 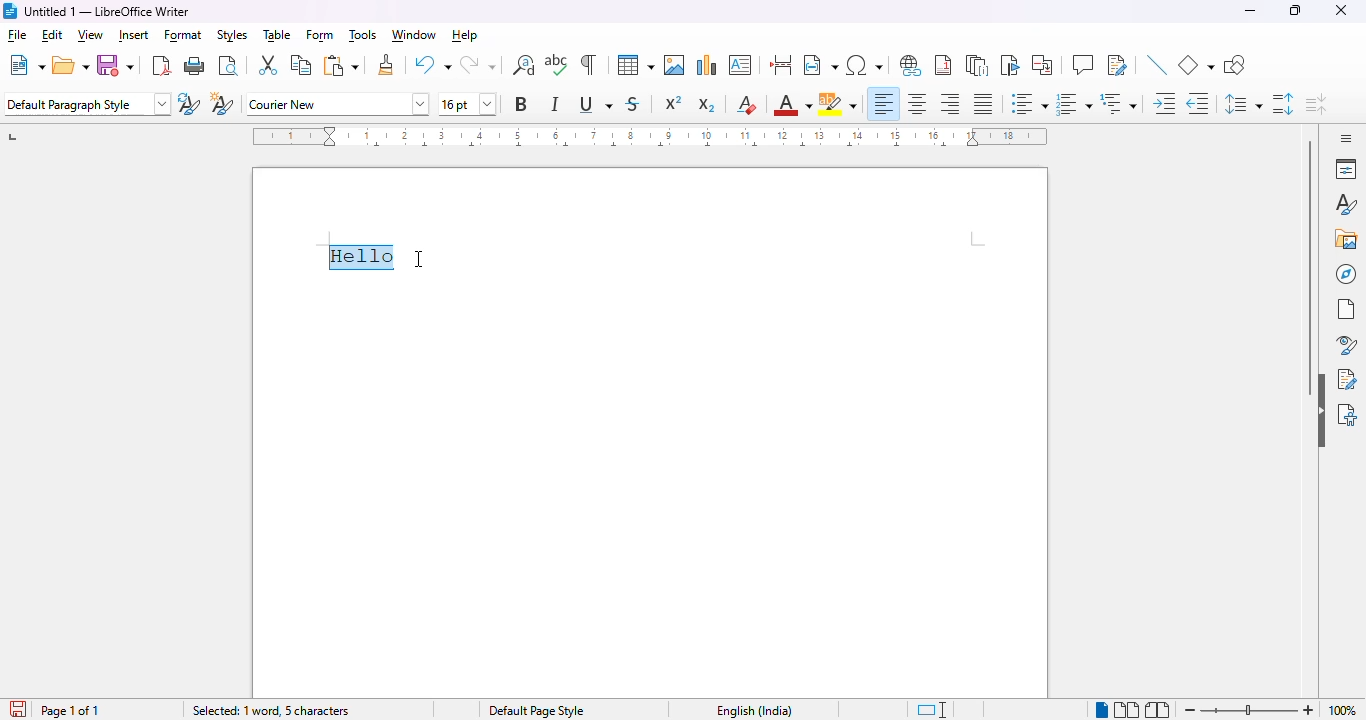 I want to click on insert cross-reference, so click(x=1042, y=64).